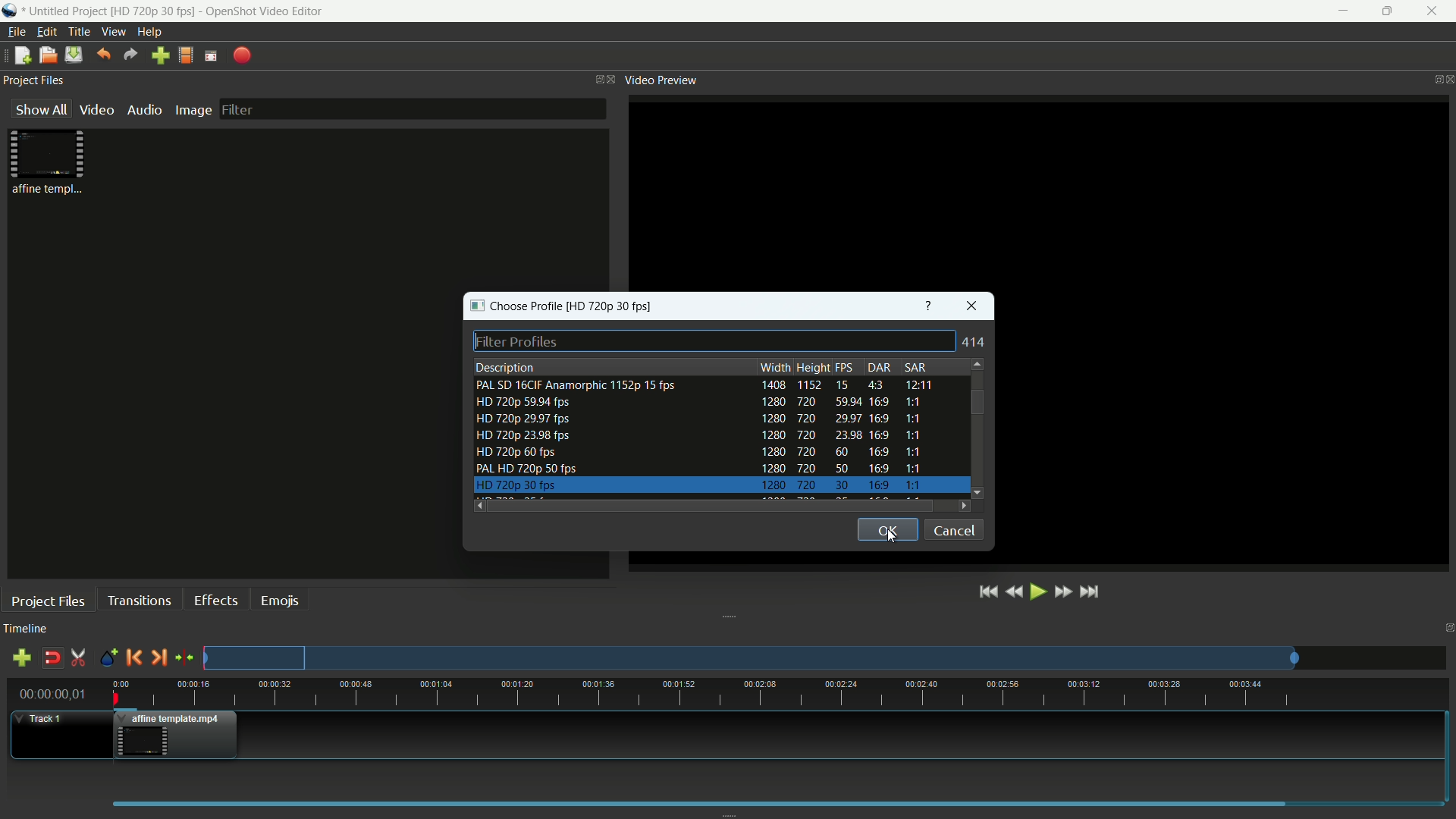 This screenshot has height=819, width=1456. Describe the element at coordinates (73, 55) in the screenshot. I see `save files` at that location.